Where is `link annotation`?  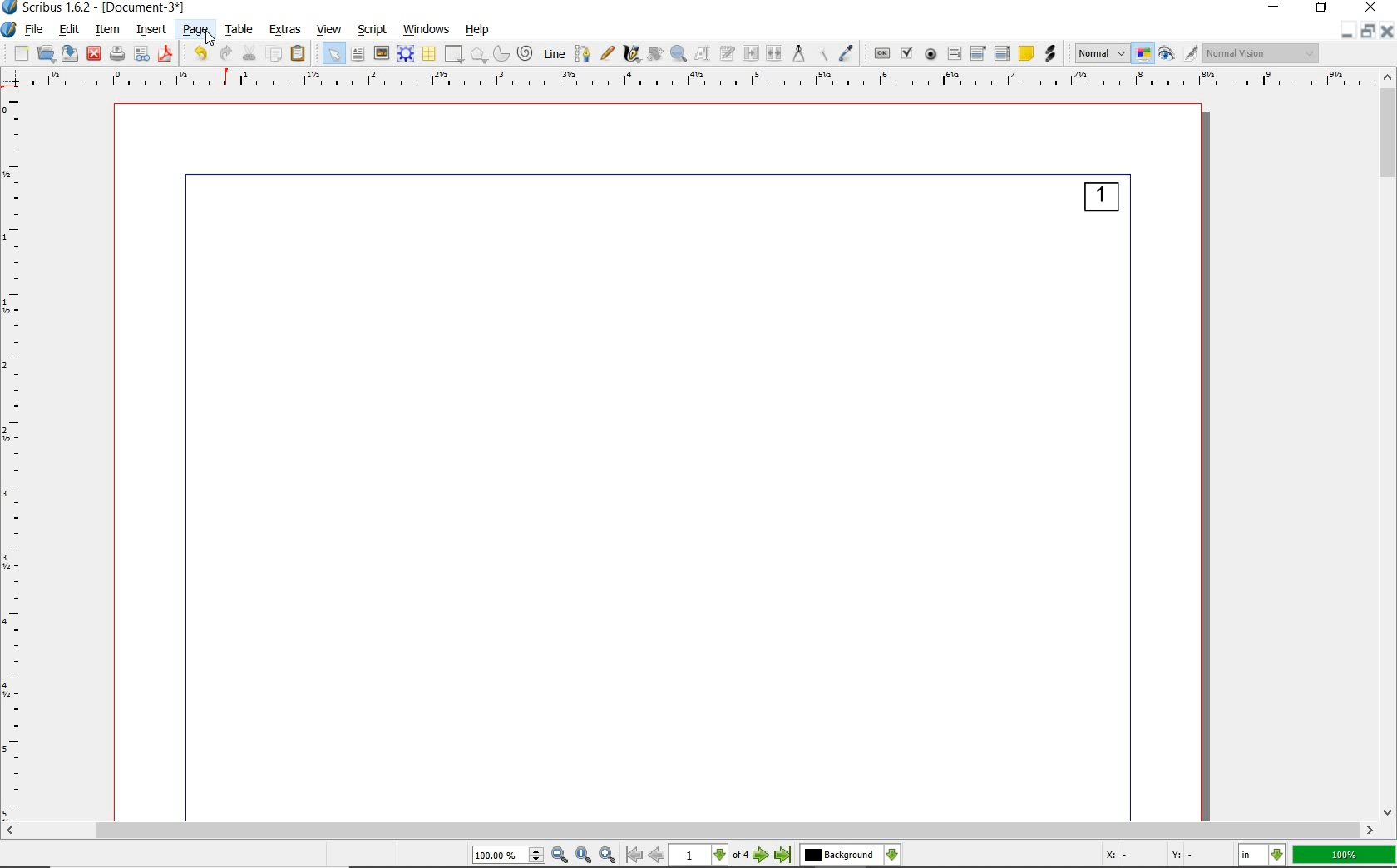
link annotation is located at coordinates (1051, 53).